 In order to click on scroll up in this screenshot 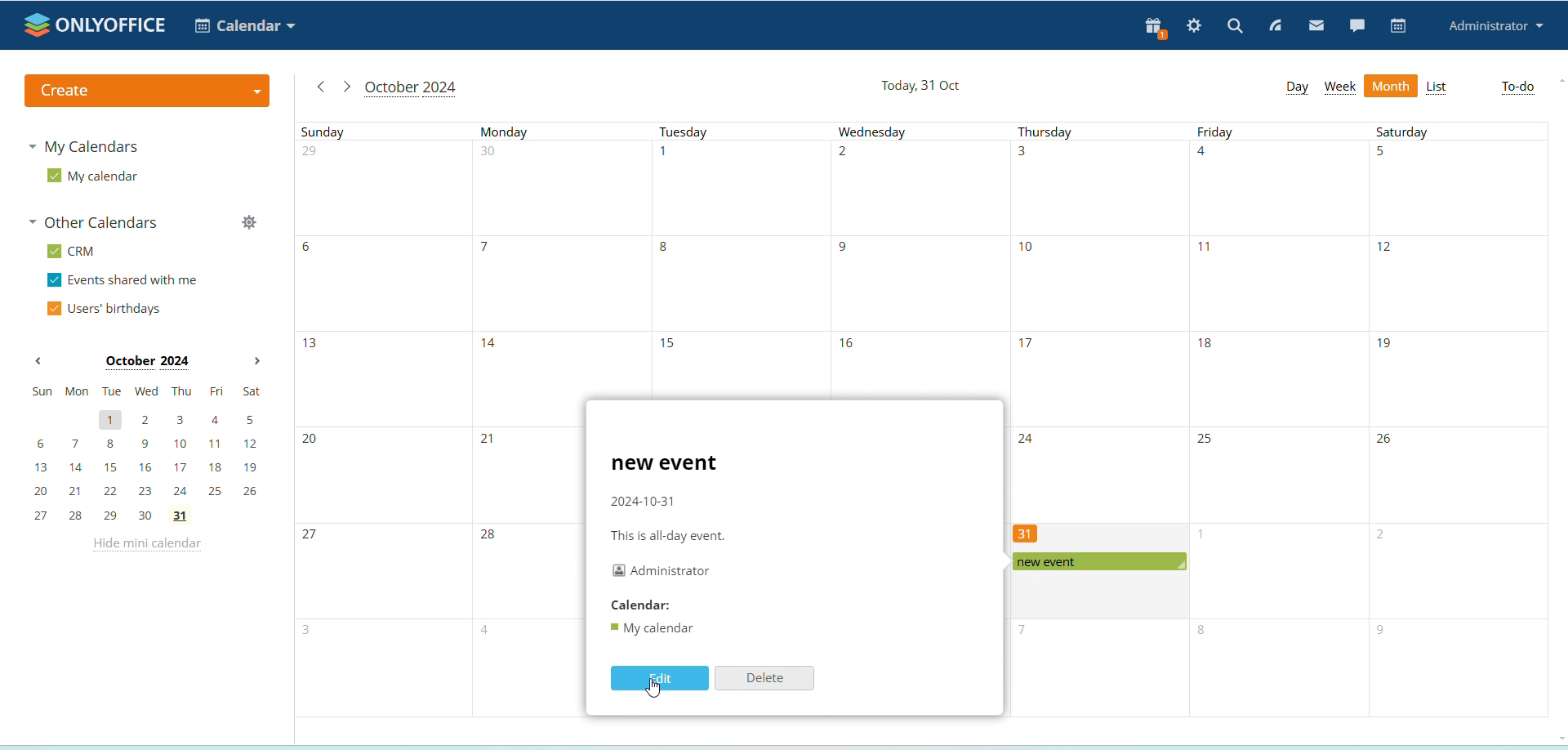, I will do `click(1561, 79)`.